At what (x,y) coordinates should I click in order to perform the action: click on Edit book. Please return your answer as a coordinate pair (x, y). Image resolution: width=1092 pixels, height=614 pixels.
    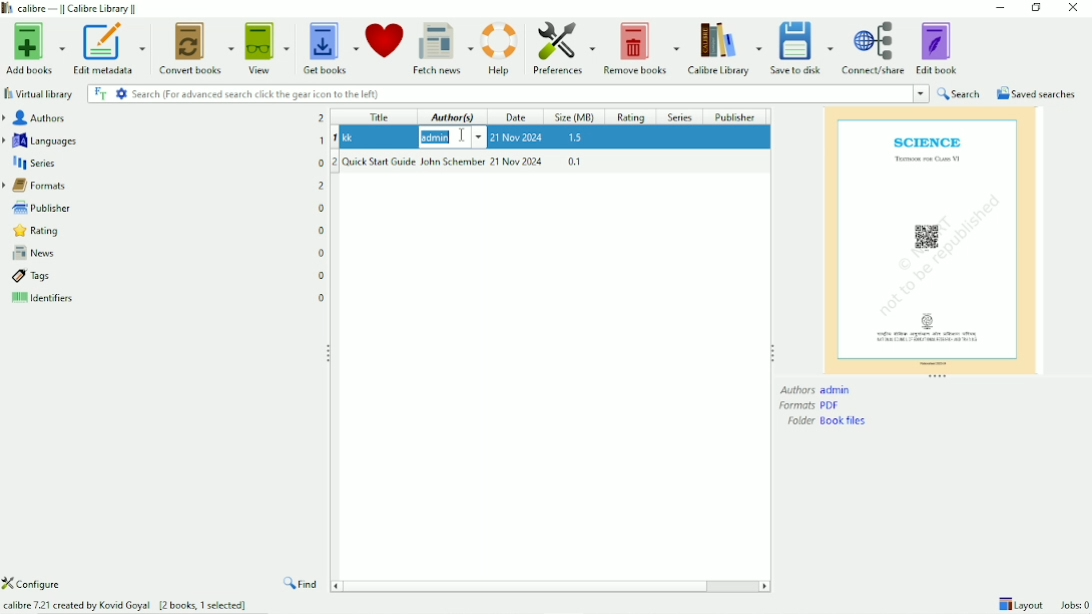
    Looking at the image, I should click on (937, 48).